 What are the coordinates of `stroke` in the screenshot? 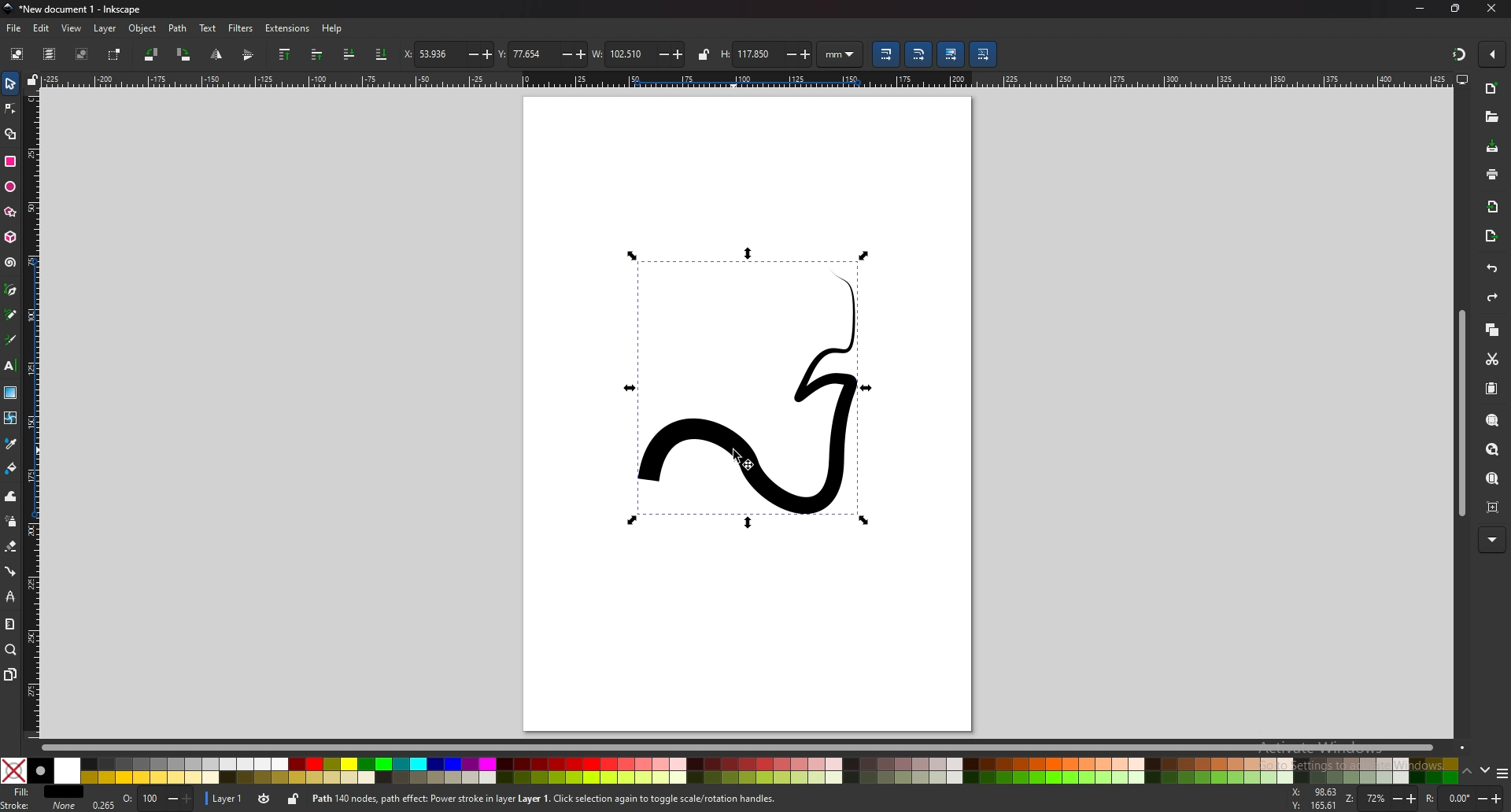 It's located at (40, 806).